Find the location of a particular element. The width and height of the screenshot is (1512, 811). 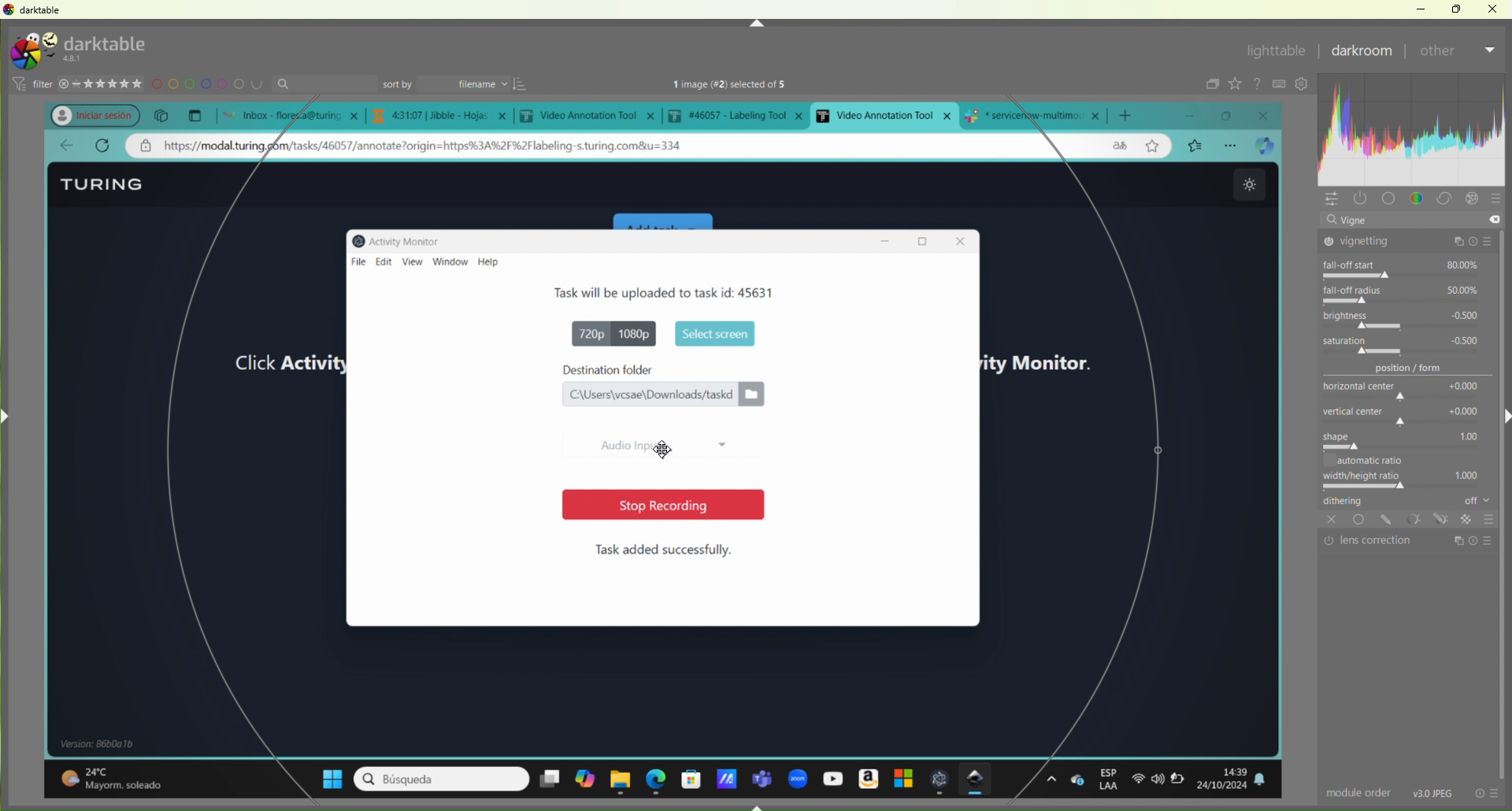

view is located at coordinates (412, 262).